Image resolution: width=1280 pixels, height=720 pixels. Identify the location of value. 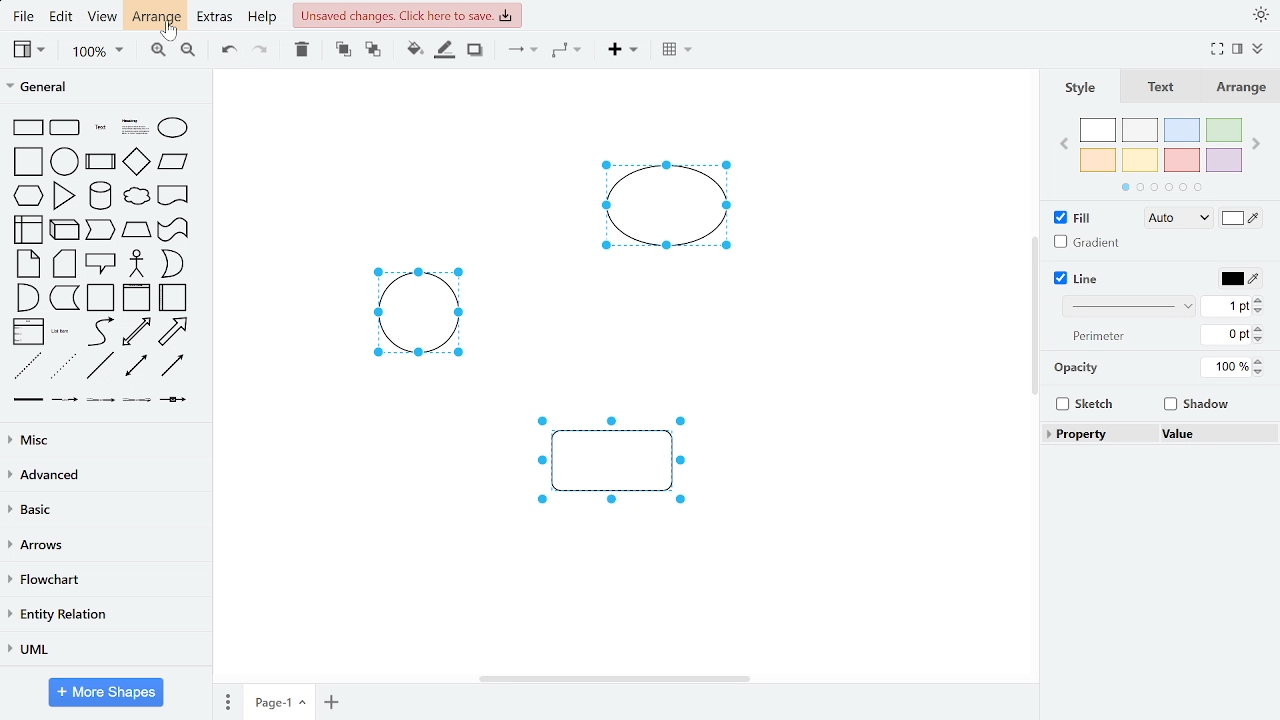
(1214, 433).